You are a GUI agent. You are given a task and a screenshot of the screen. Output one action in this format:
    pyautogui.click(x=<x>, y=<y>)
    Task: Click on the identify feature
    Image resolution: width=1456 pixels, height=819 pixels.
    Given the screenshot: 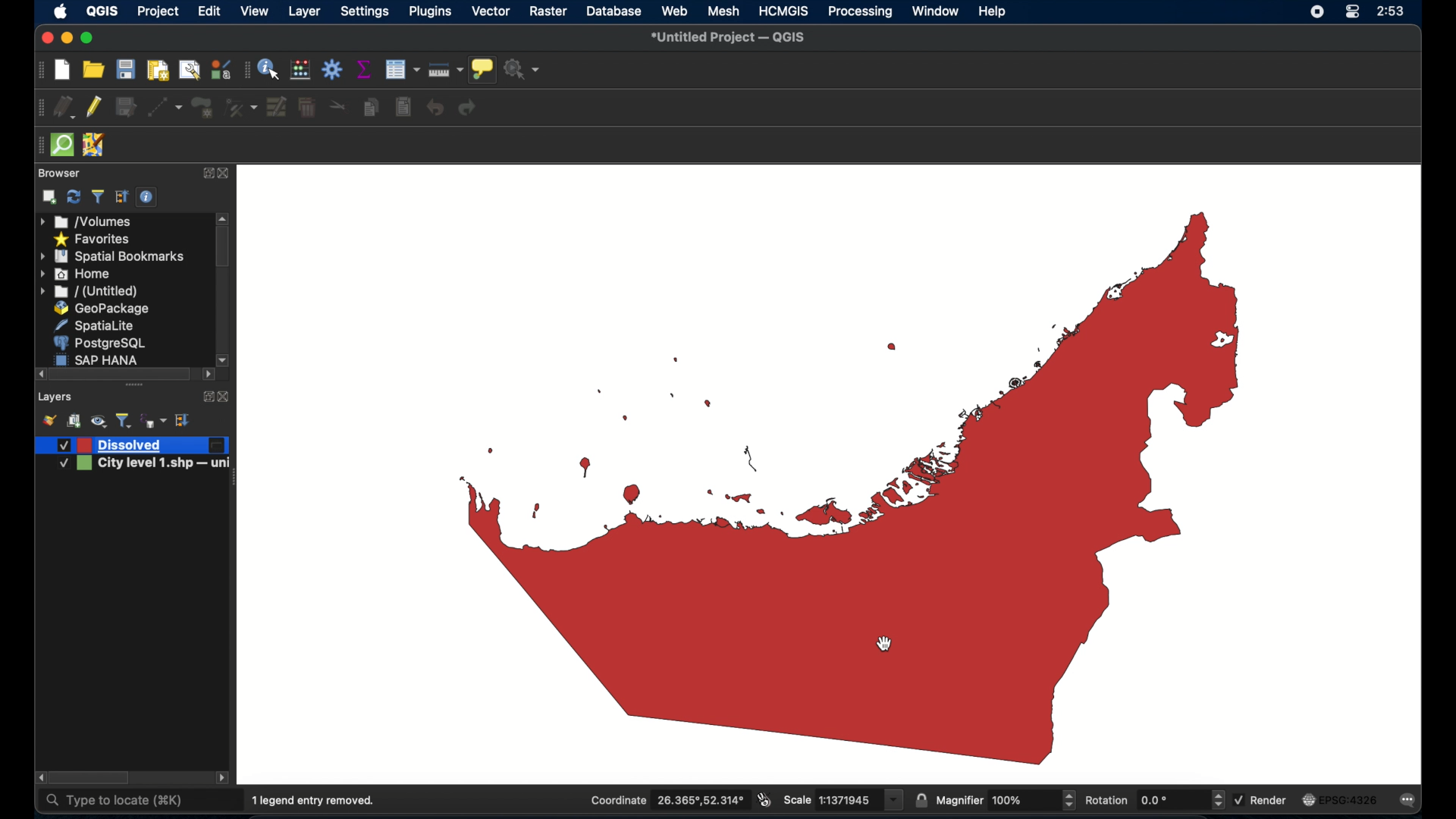 What is the action you would take?
    pyautogui.click(x=270, y=70)
    